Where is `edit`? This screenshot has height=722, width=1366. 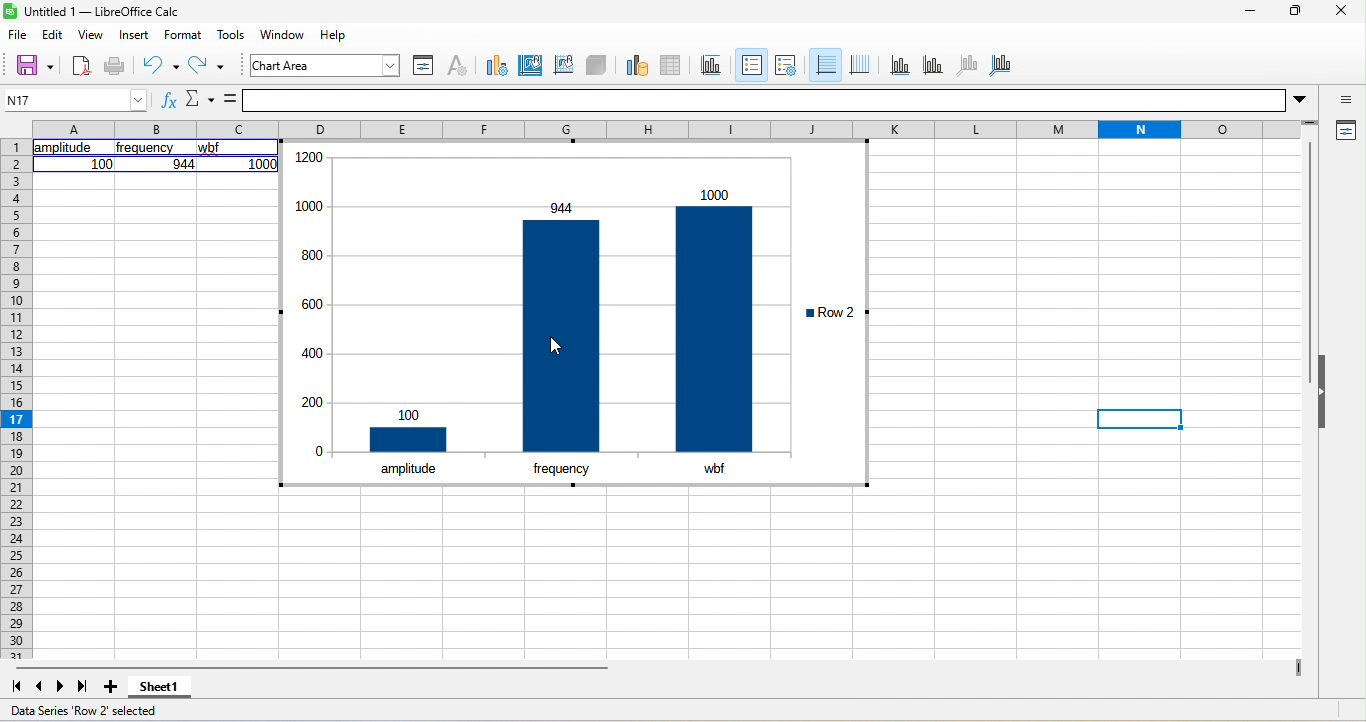 edit is located at coordinates (55, 36).